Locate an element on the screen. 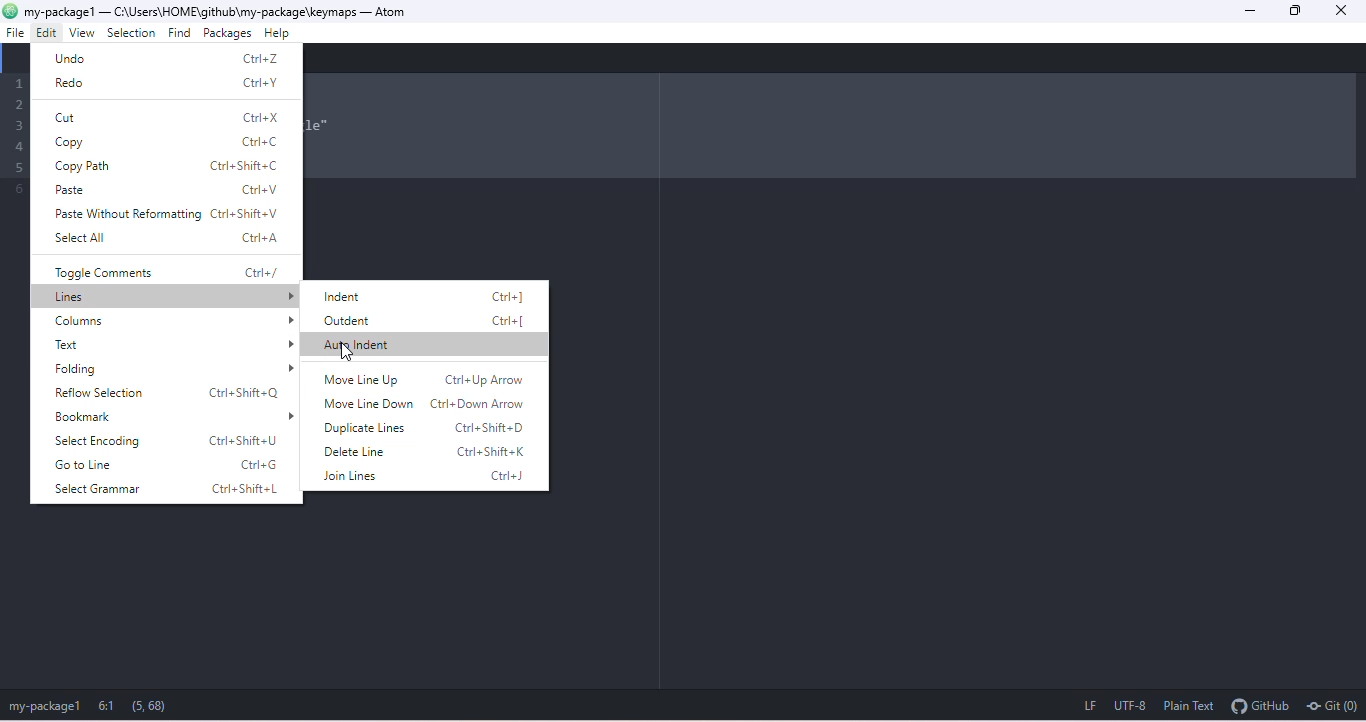 This screenshot has height=722, width=1366. atom logo is located at coordinates (11, 12).